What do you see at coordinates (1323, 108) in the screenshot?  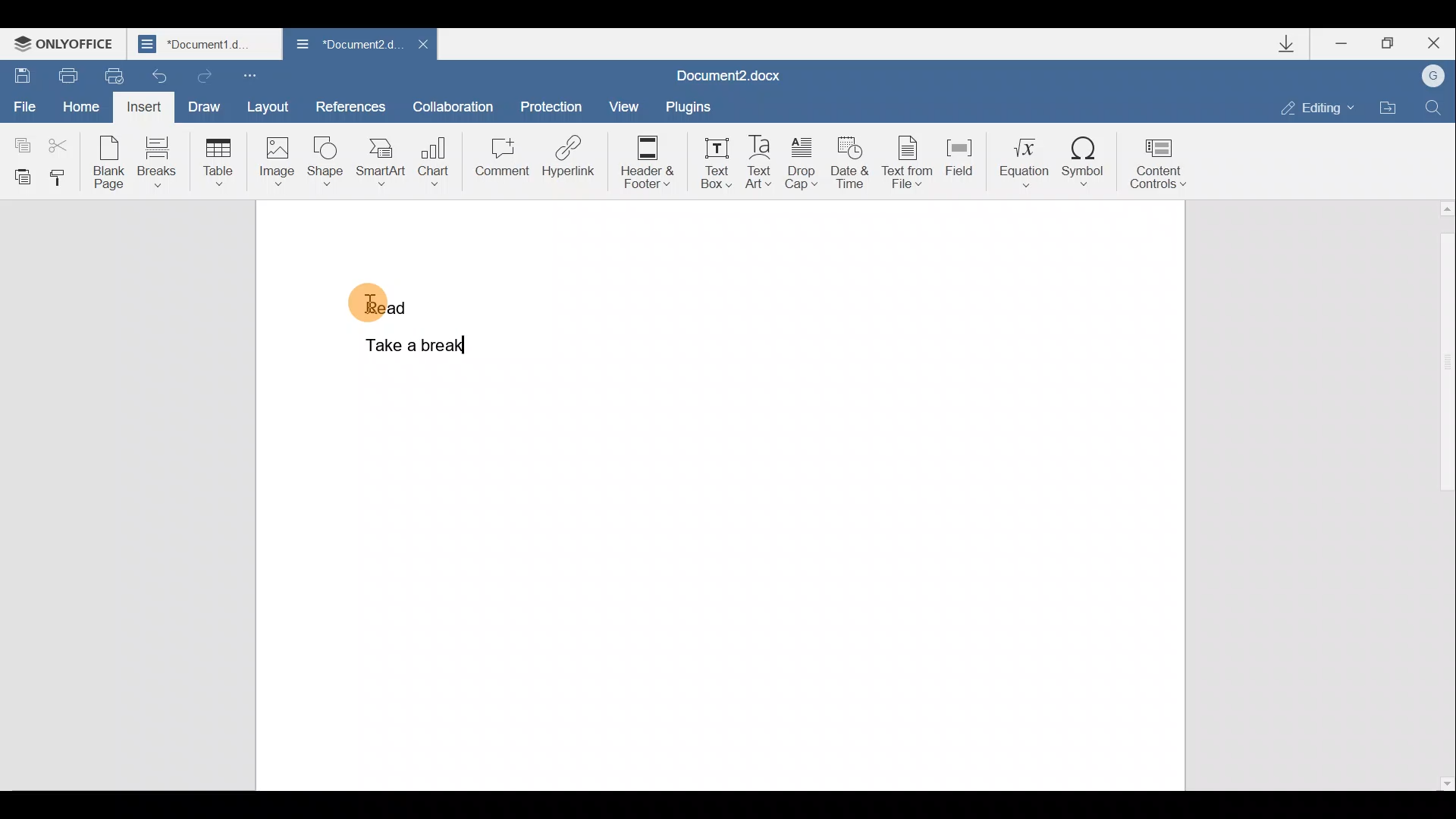 I see `Editing` at bounding box center [1323, 108].